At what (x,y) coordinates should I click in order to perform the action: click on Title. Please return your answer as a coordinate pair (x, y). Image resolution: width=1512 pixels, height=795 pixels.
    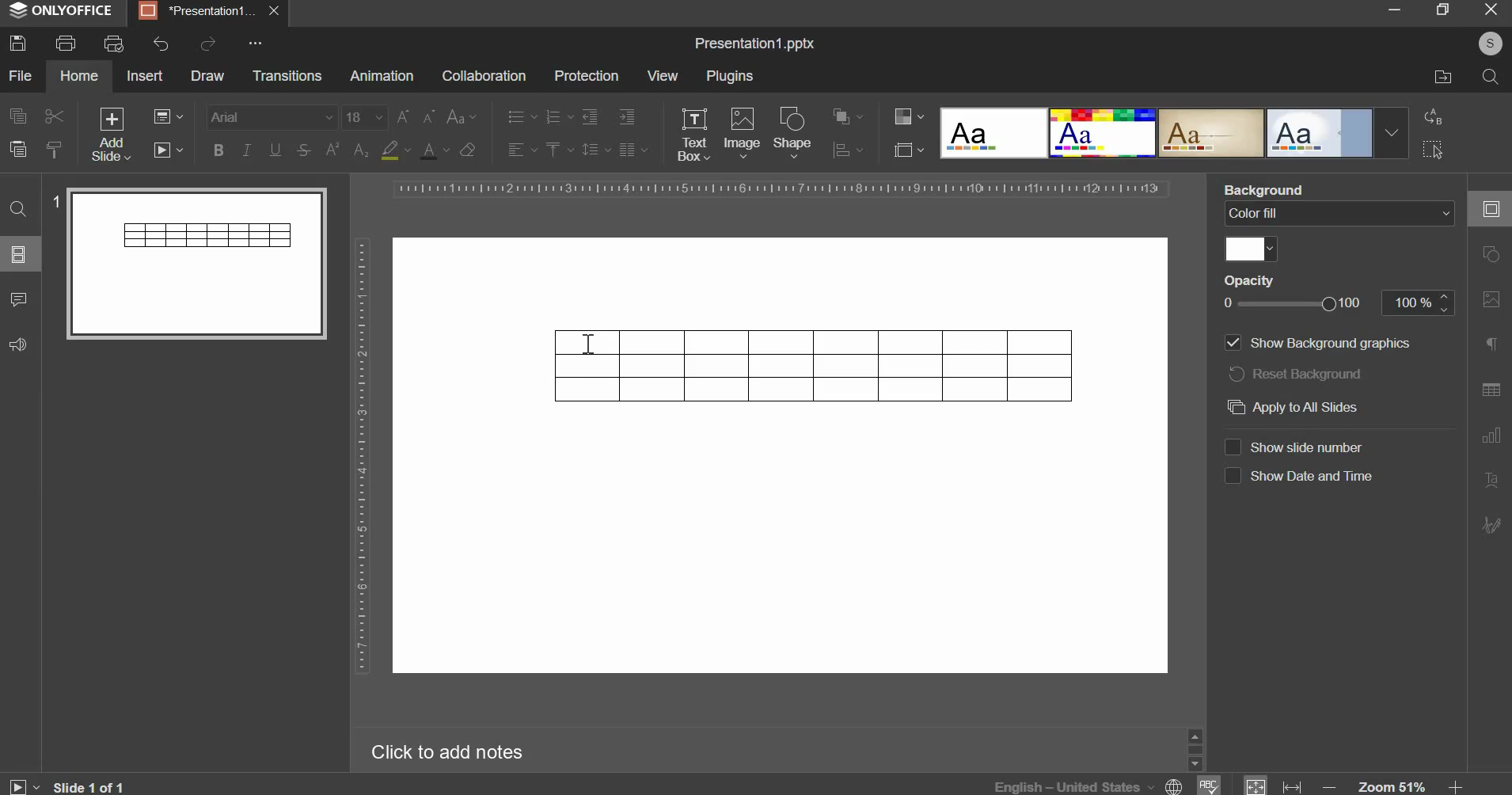
    Looking at the image, I should click on (754, 44).